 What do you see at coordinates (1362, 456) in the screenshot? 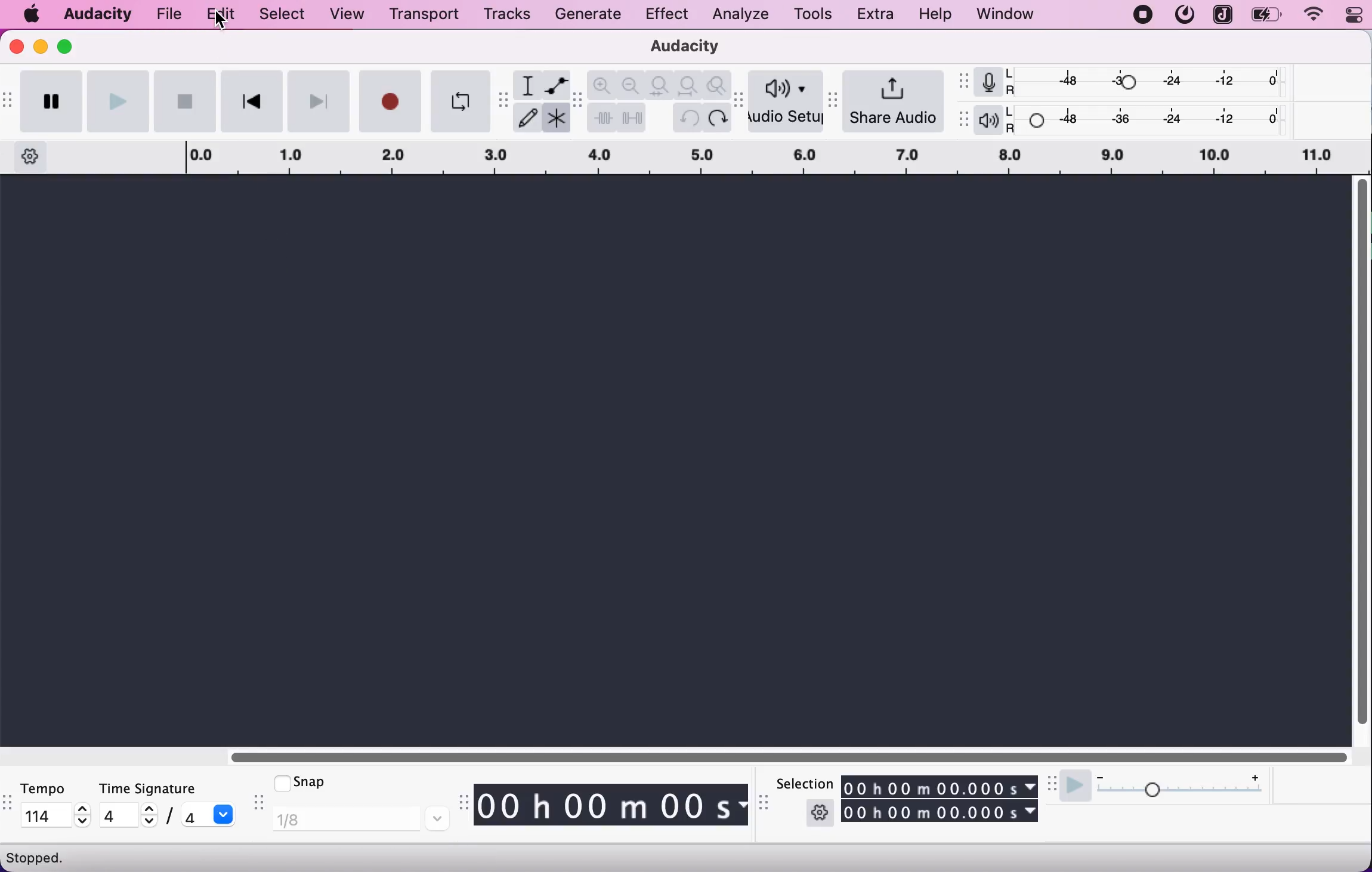
I see `vertical slider` at bounding box center [1362, 456].